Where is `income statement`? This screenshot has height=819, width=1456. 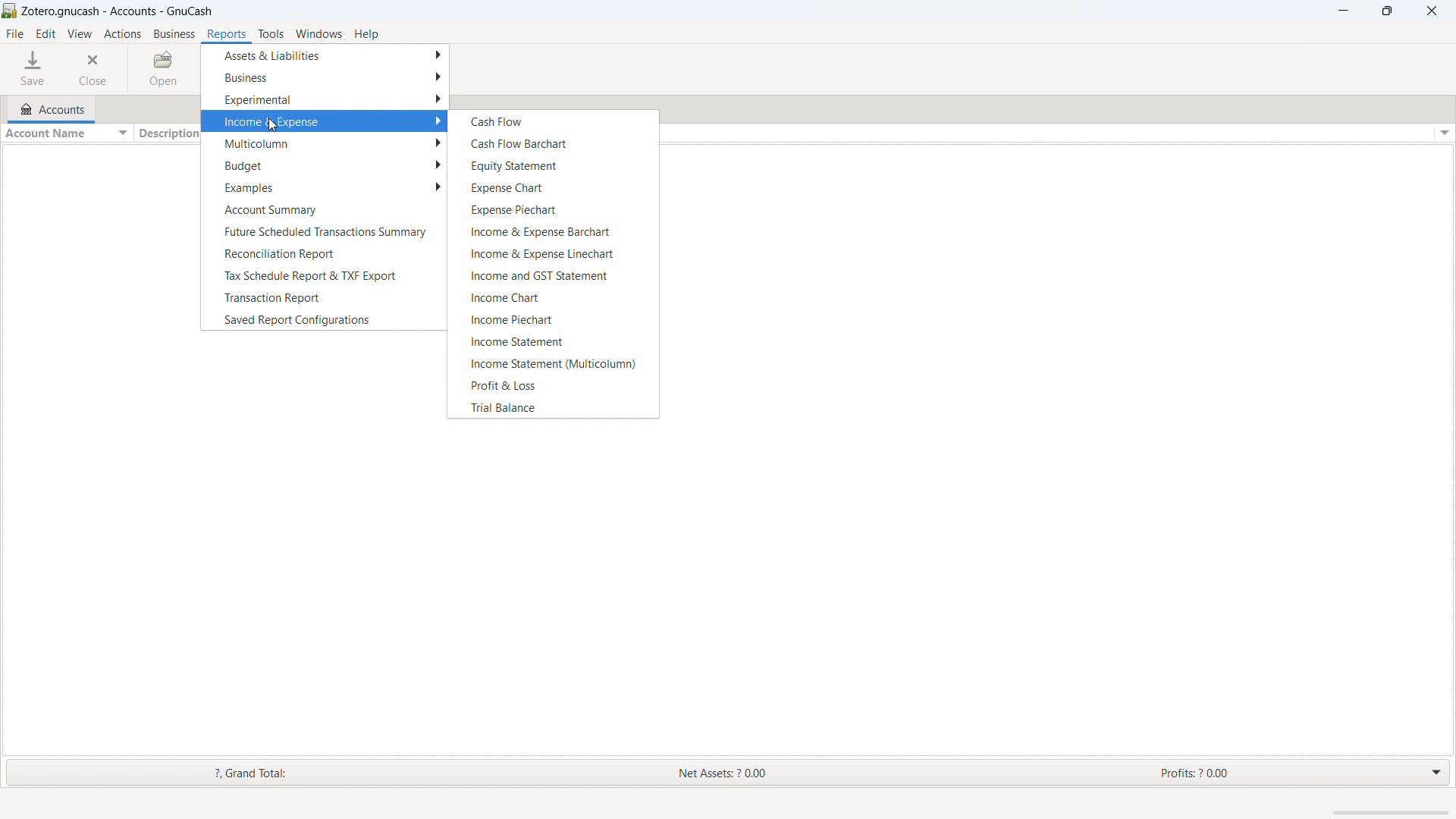 income statement is located at coordinates (554, 340).